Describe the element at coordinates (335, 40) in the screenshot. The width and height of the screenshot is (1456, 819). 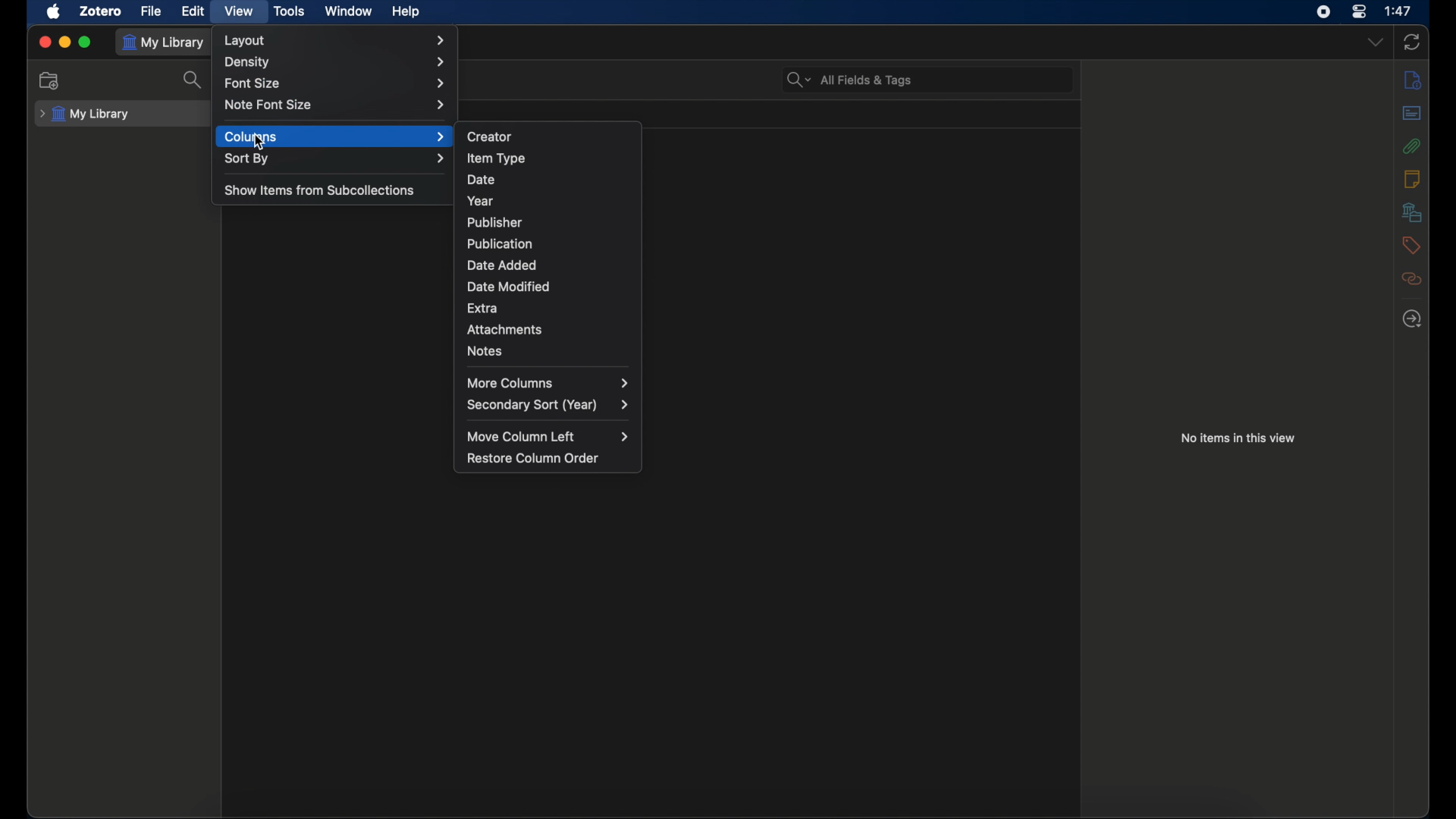
I see `layout ` at that location.